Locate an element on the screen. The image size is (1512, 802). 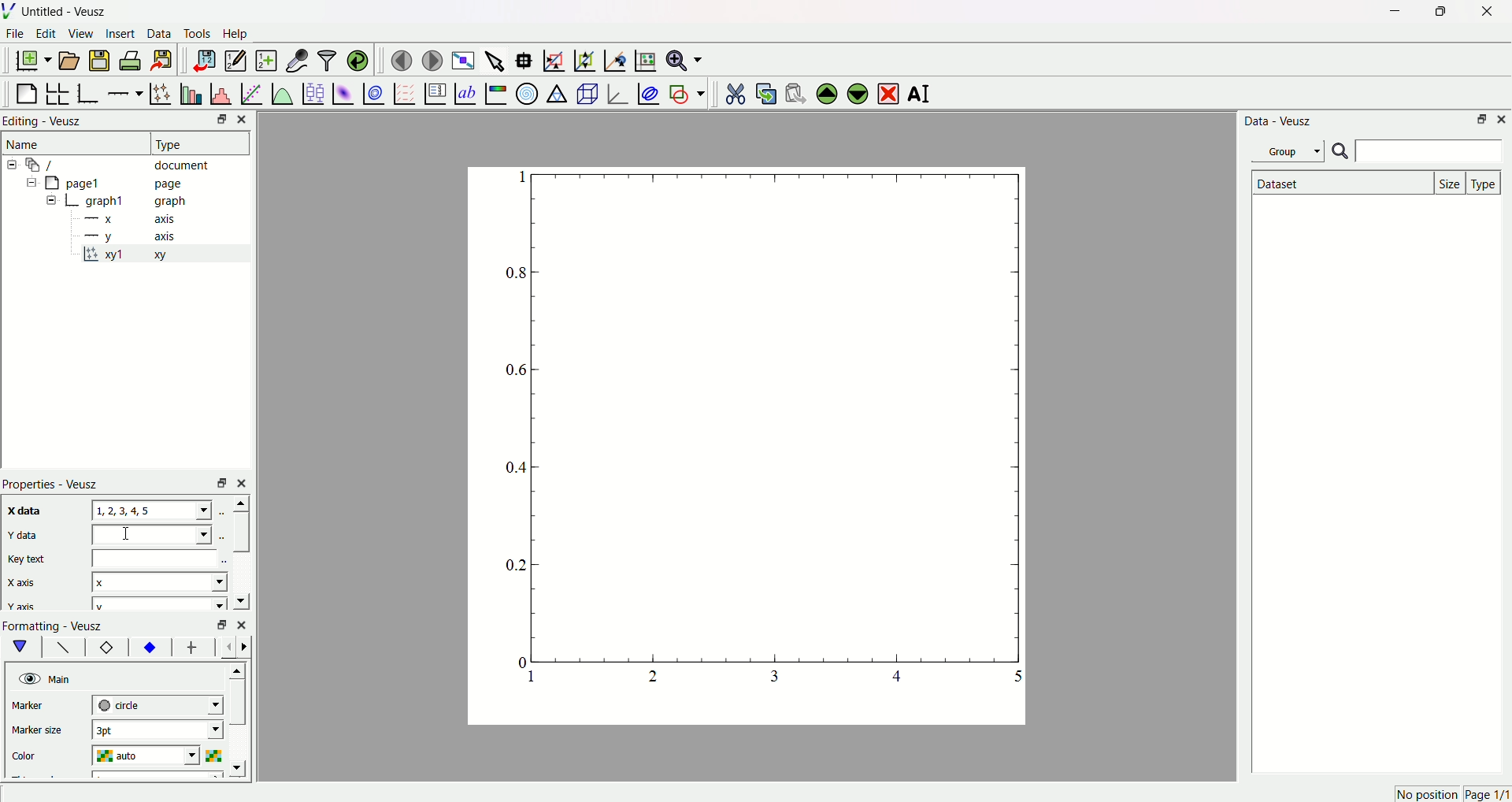
Help is located at coordinates (240, 34).